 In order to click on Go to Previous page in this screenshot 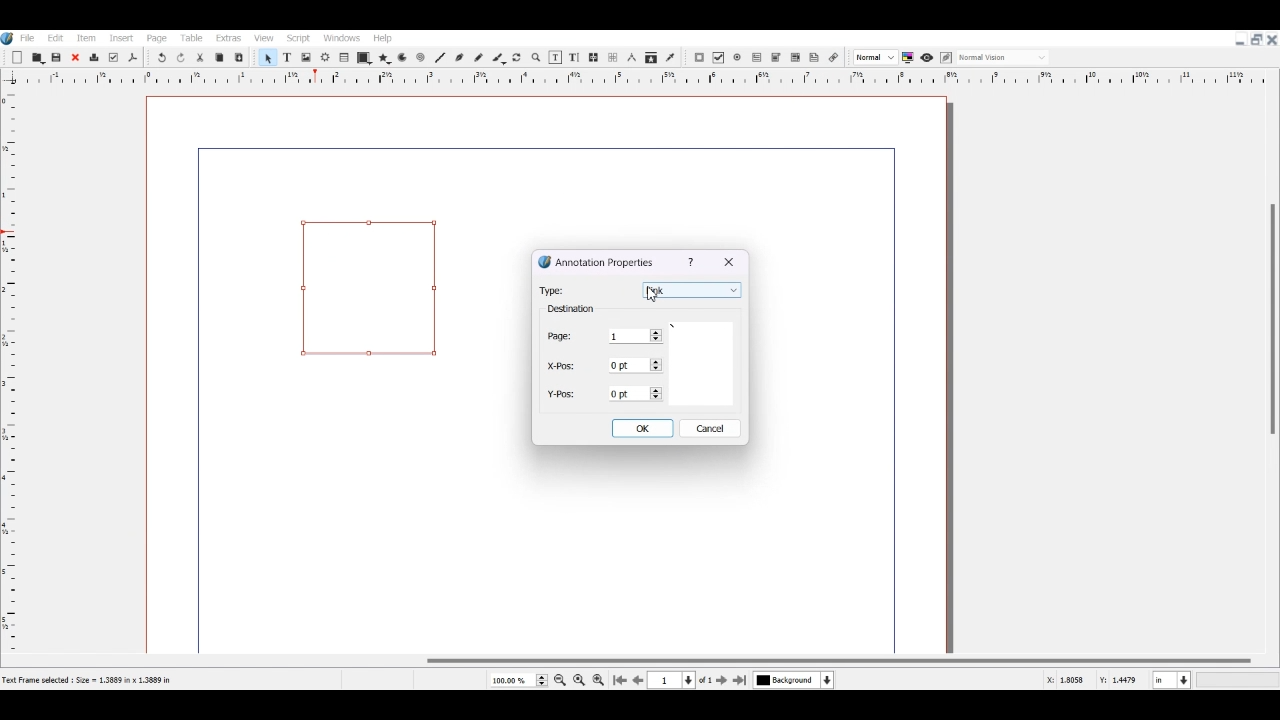, I will do `click(638, 680)`.